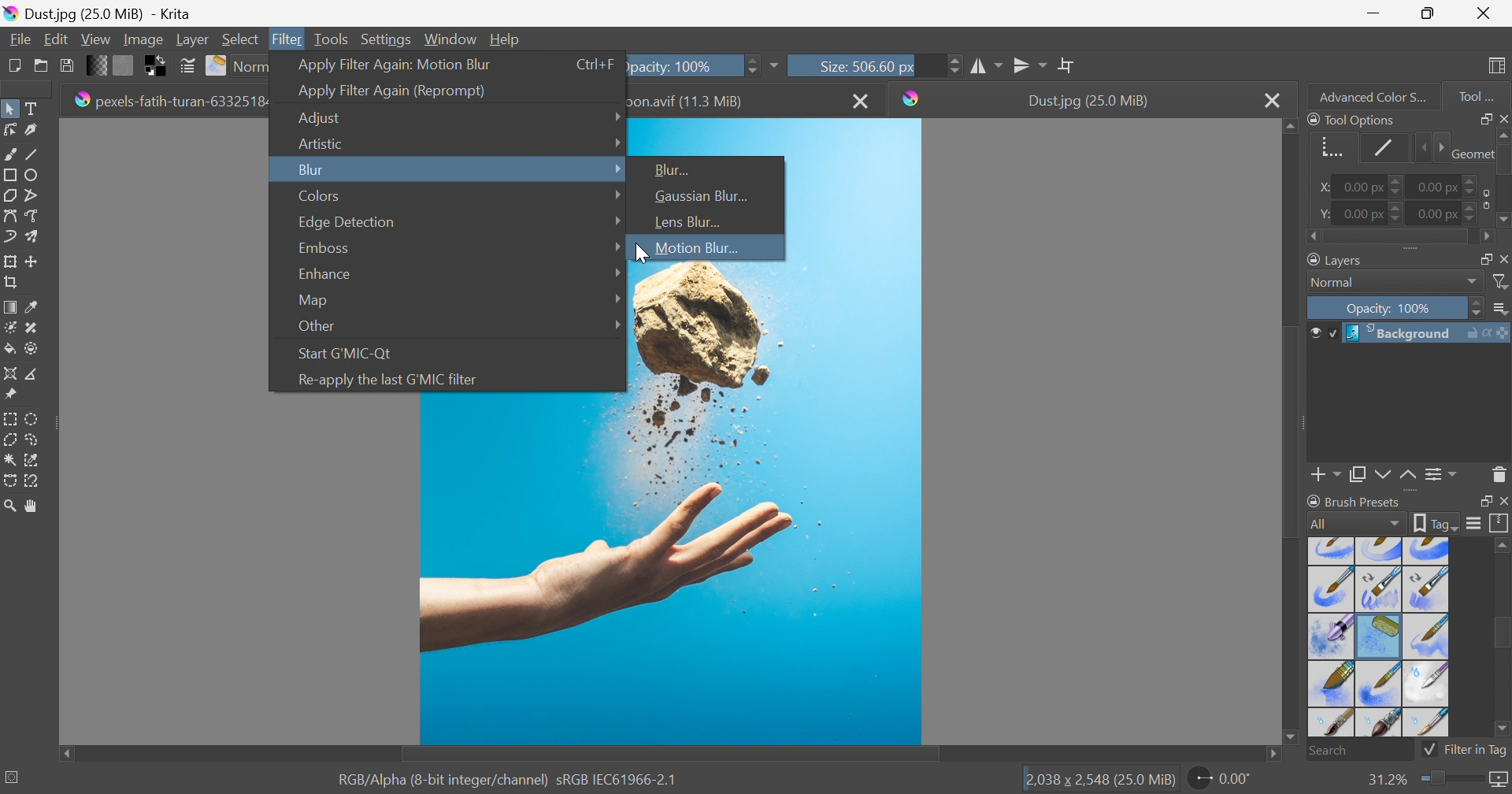 This screenshot has width=1512, height=794. I want to click on Restore Down, so click(1428, 13).